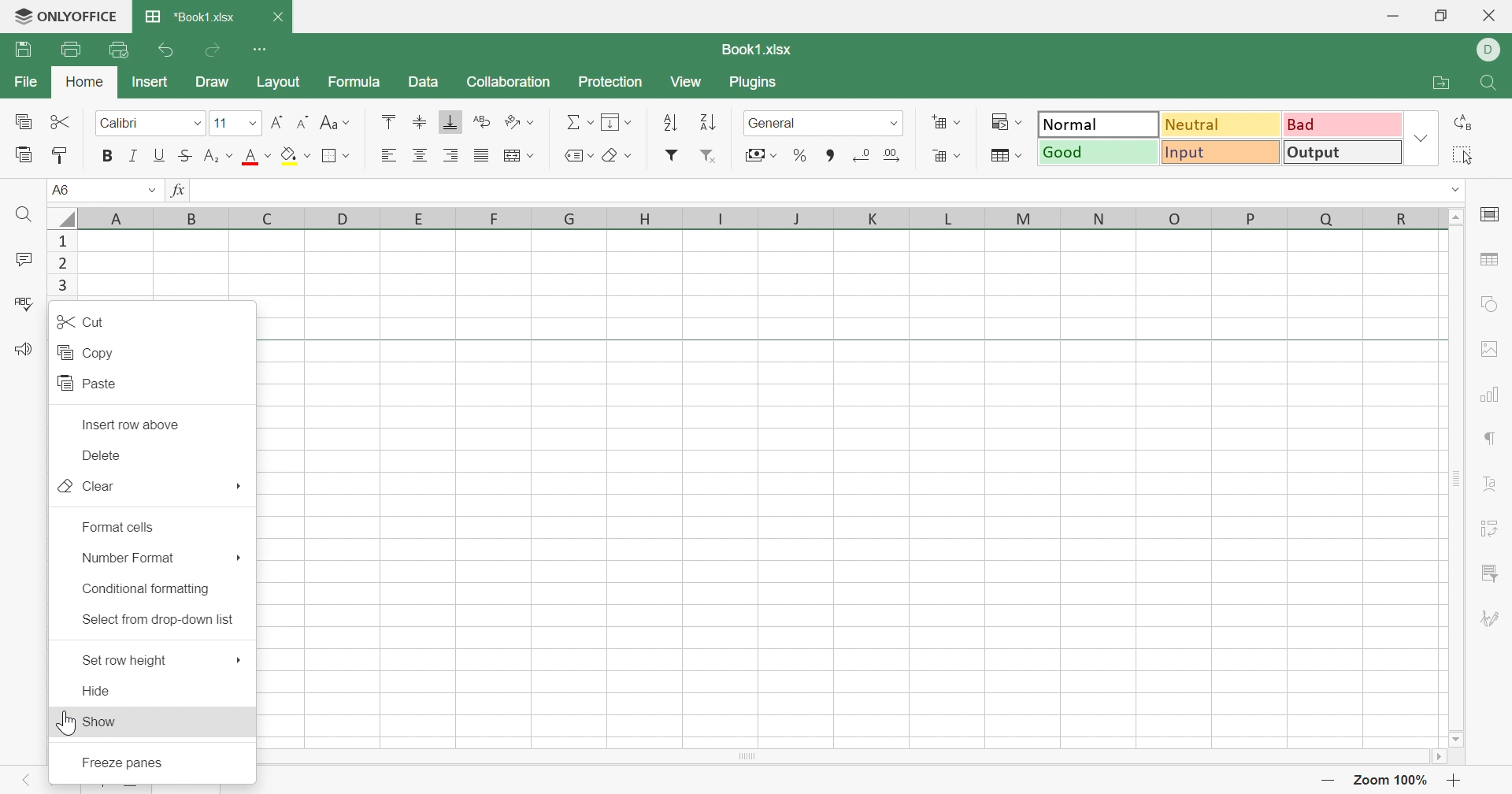 This screenshot has height=794, width=1512. What do you see at coordinates (1492, 50) in the screenshot?
I see `DELL` at bounding box center [1492, 50].